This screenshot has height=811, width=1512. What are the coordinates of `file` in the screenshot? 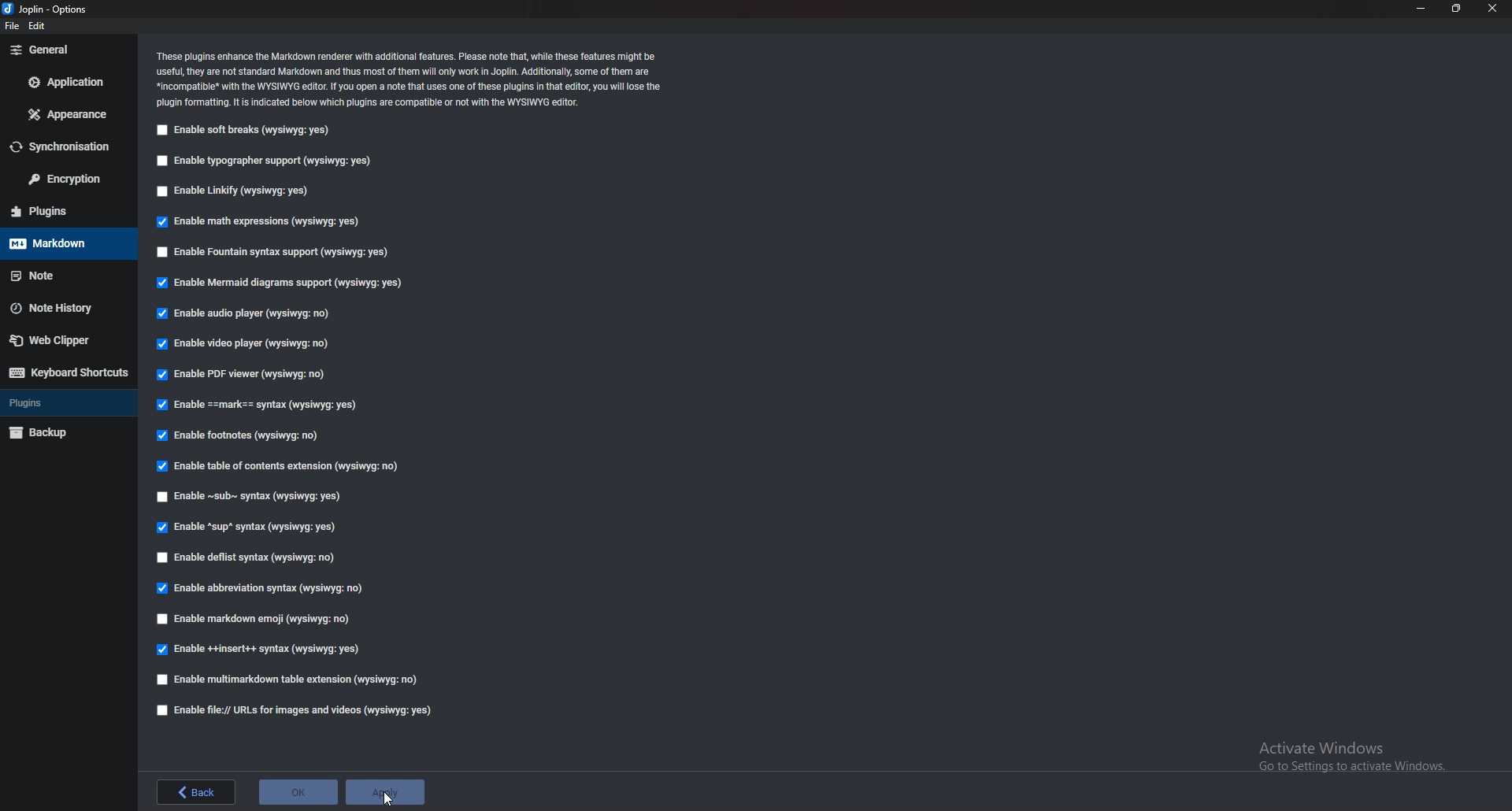 It's located at (11, 26).